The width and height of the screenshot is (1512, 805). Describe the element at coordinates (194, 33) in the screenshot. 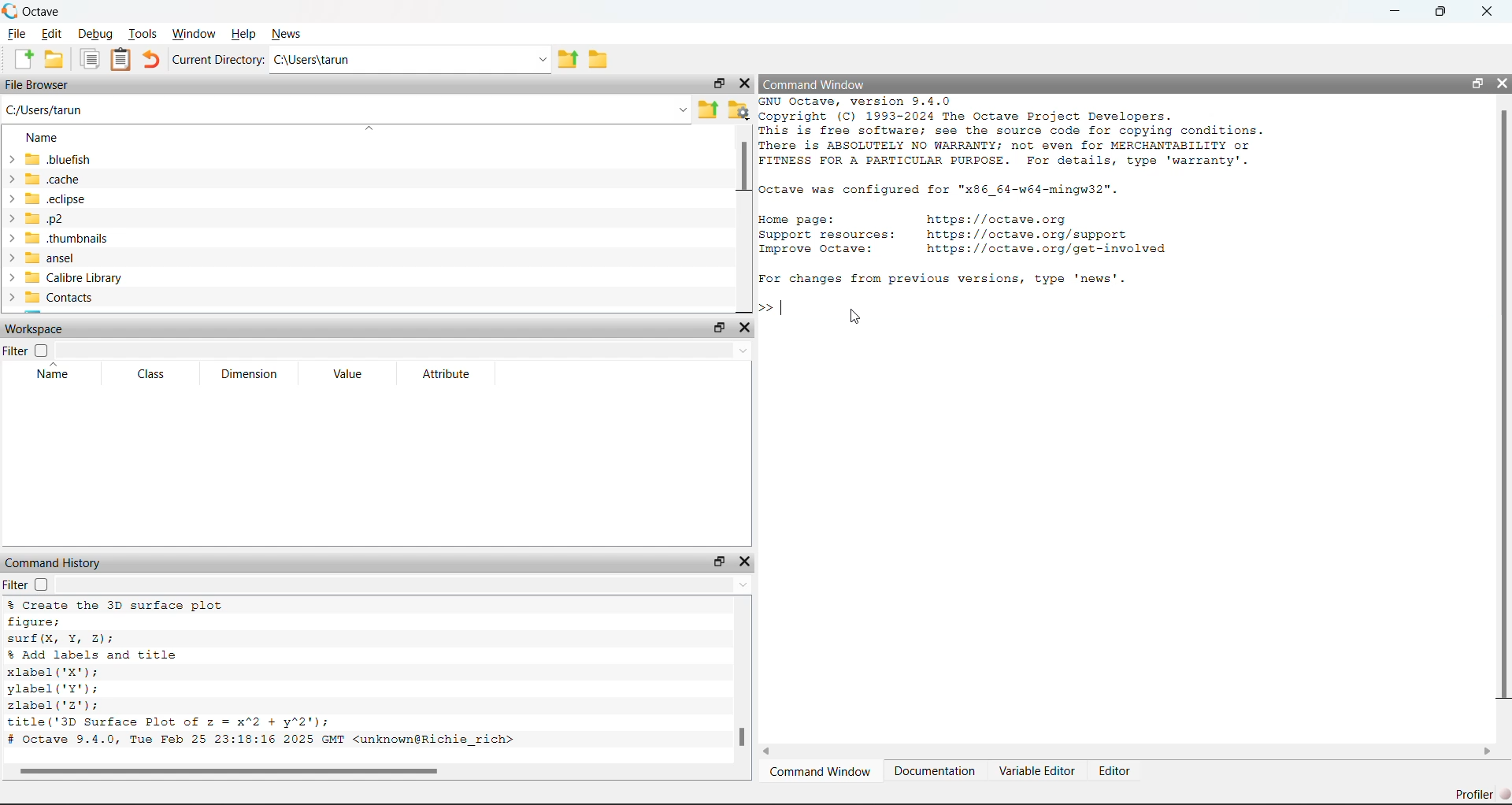

I see `Window` at that location.